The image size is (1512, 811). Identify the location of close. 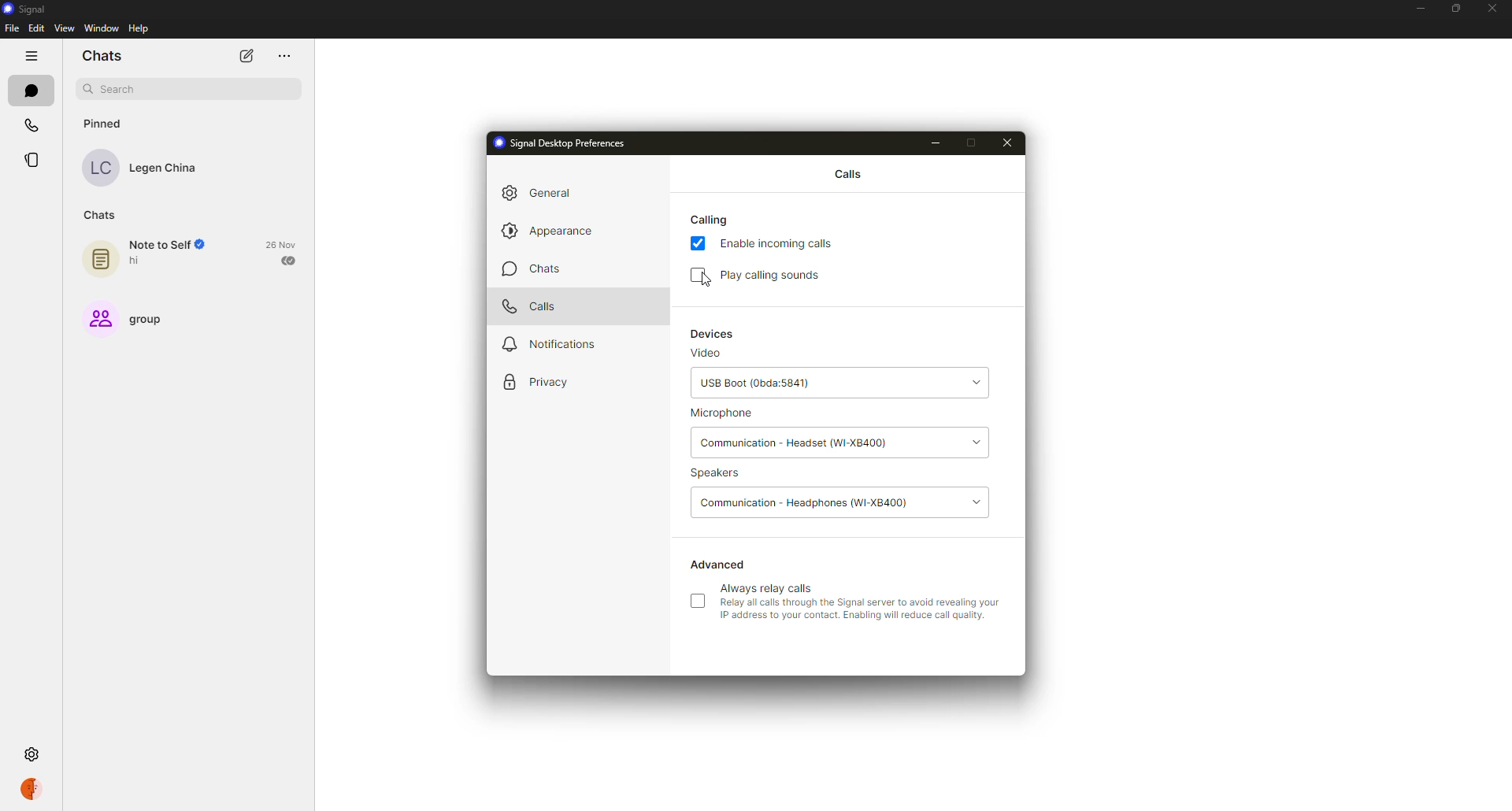
(1491, 9).